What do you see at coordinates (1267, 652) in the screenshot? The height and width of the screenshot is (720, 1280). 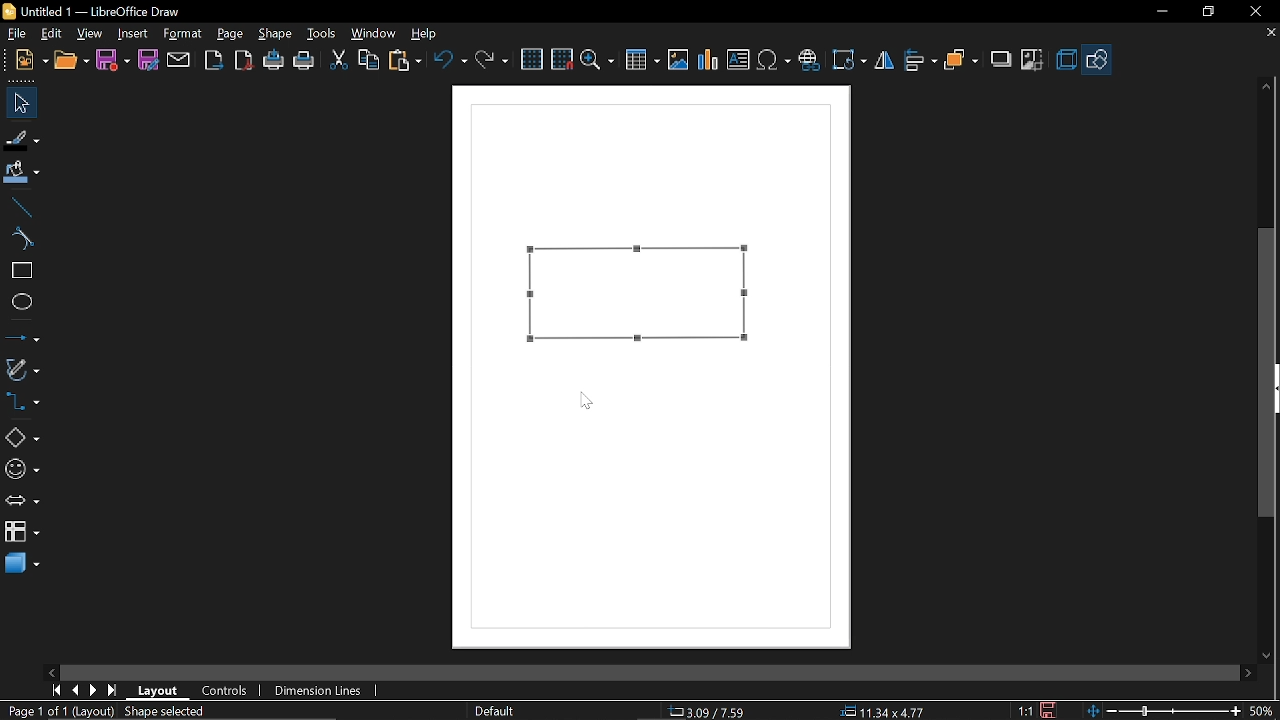 I see `Move down` at bounding box center [1267, 652].